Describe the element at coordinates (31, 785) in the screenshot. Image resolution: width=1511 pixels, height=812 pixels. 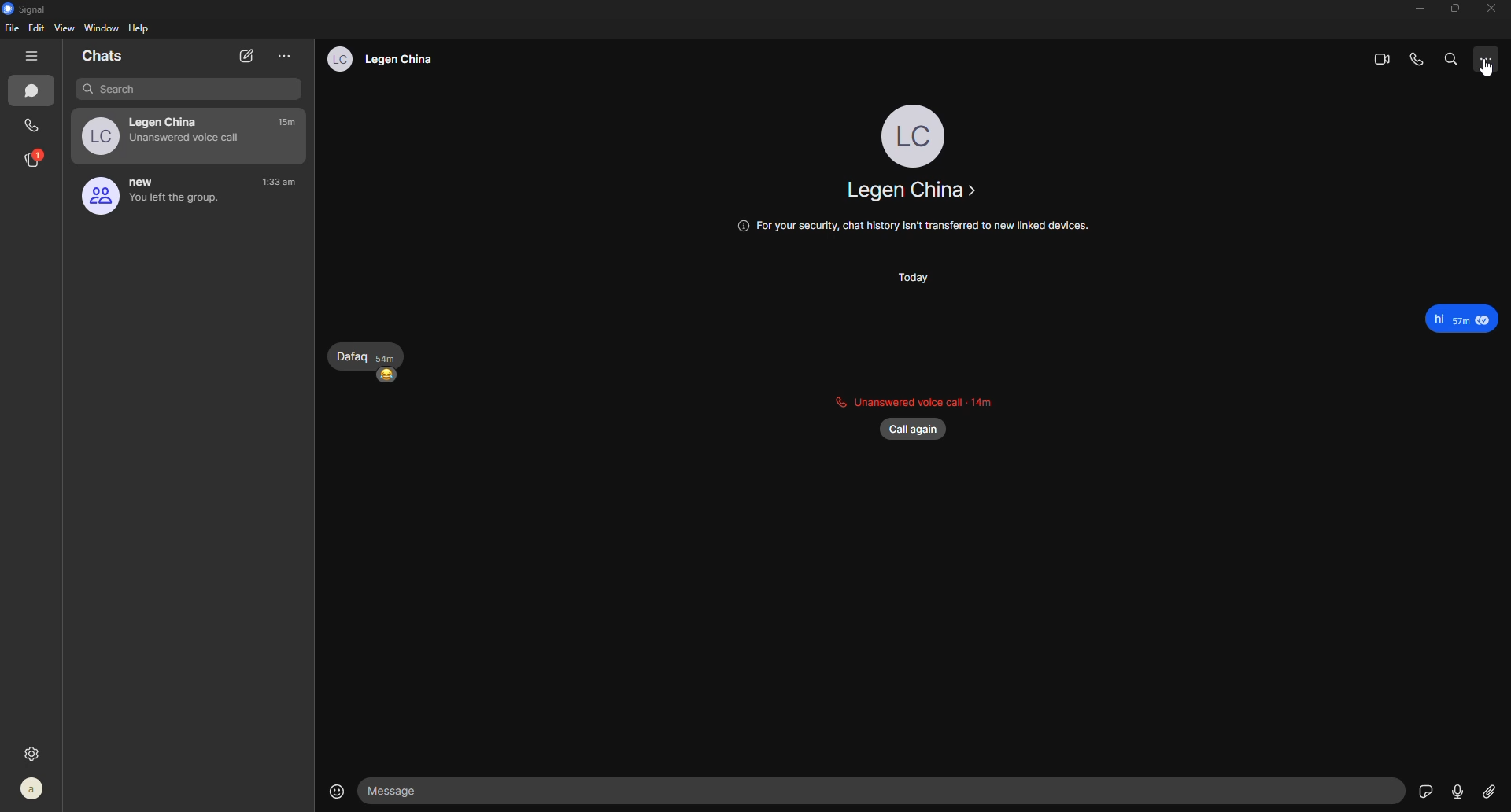
I see `profile` at that location.